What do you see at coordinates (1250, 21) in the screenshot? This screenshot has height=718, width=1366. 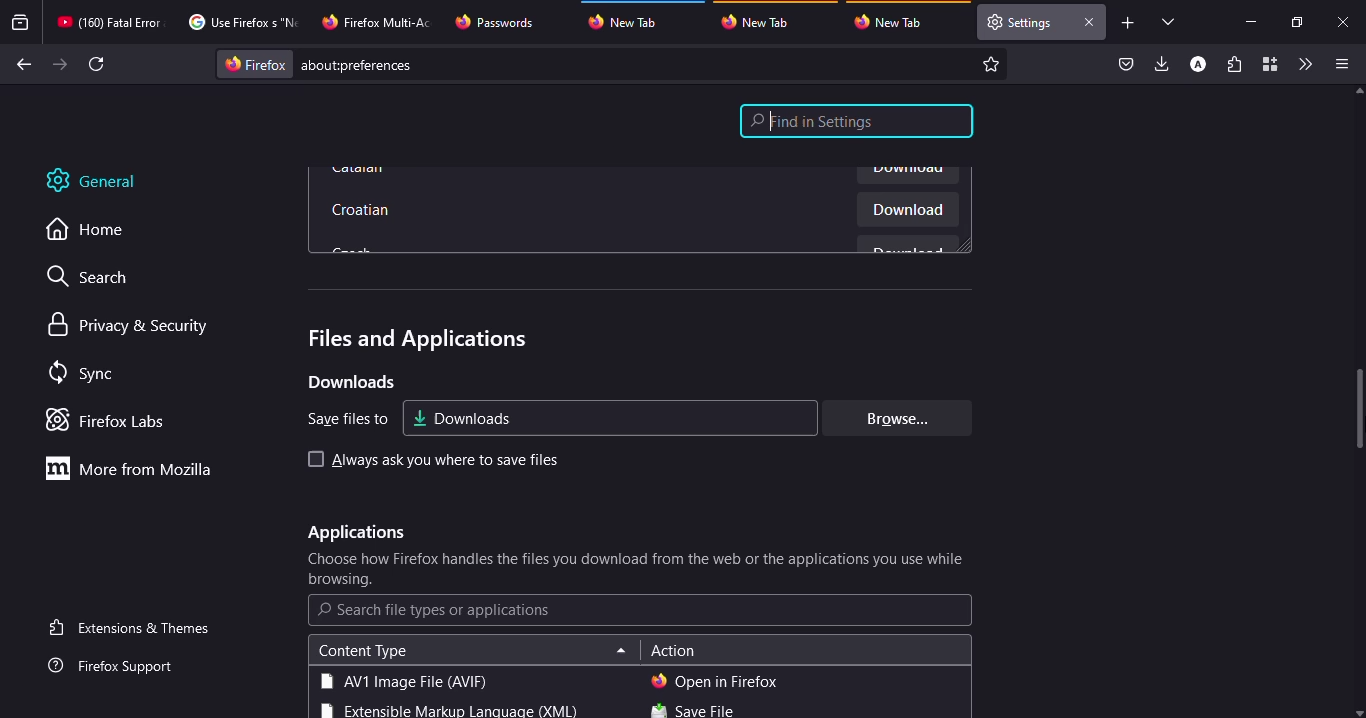 I see `minimize` at bounding box center [1250, 21].